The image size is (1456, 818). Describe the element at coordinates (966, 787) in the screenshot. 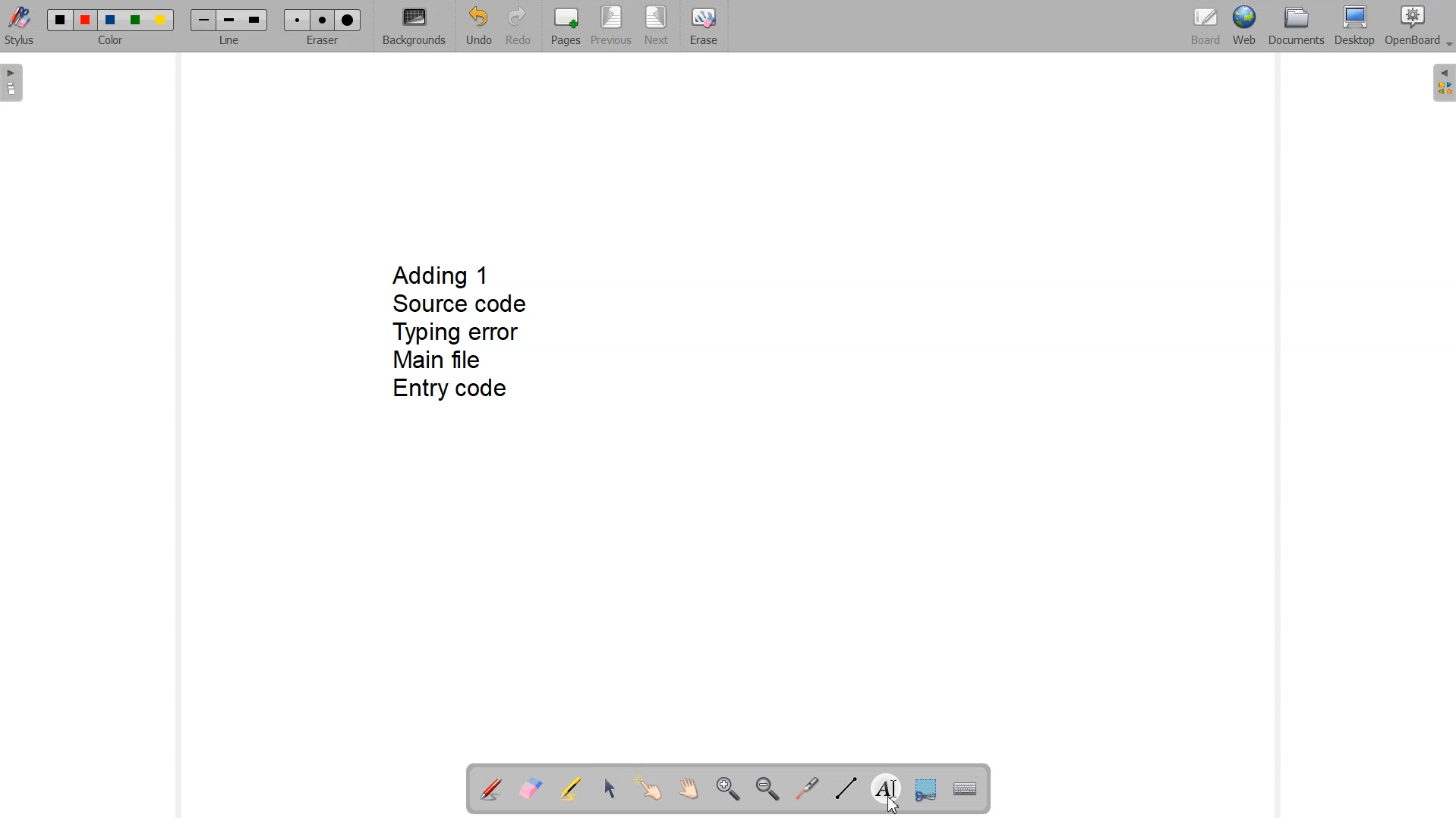

I see `Display virtual keyboard ` at that location.